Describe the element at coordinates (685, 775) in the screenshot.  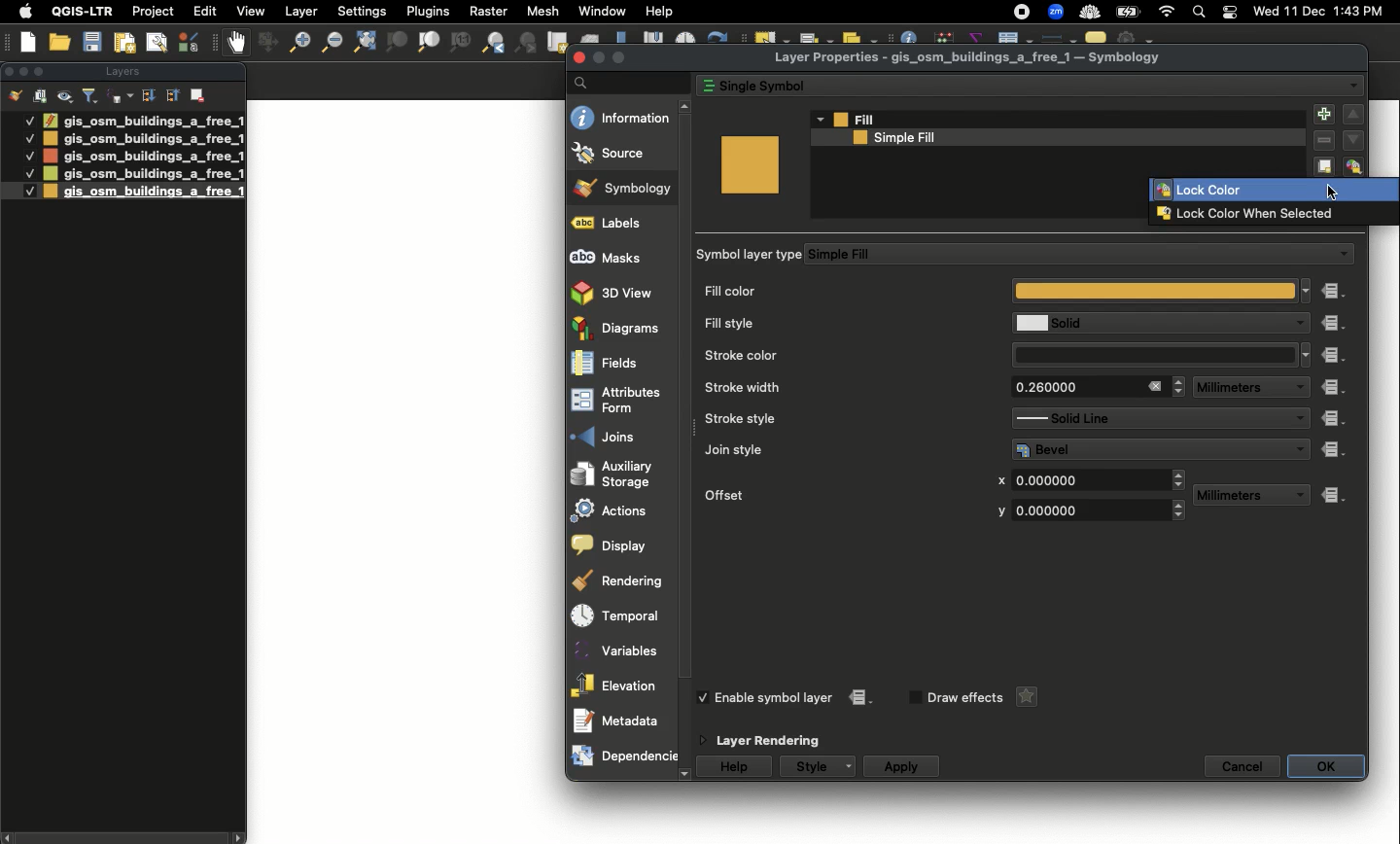
I see `down` at that location.